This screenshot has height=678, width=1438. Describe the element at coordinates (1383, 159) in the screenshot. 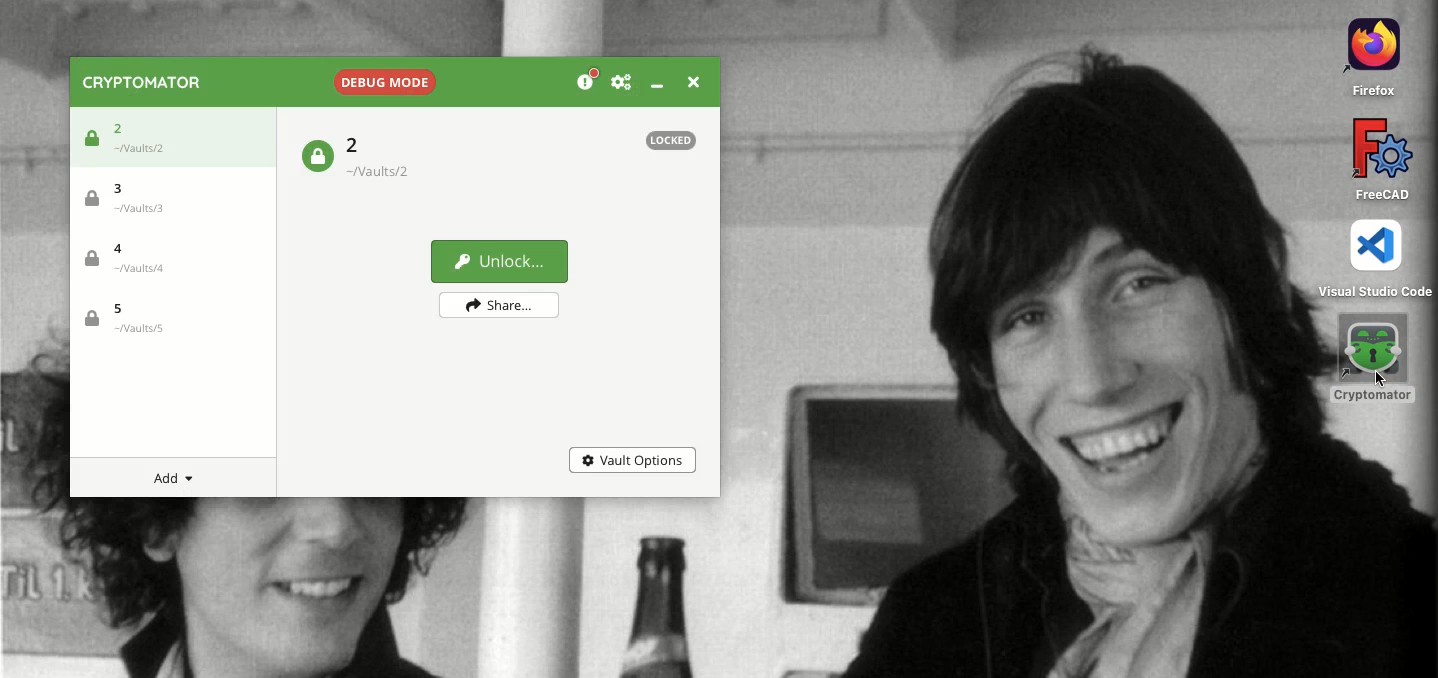

I see `FreeCAD` at that location.